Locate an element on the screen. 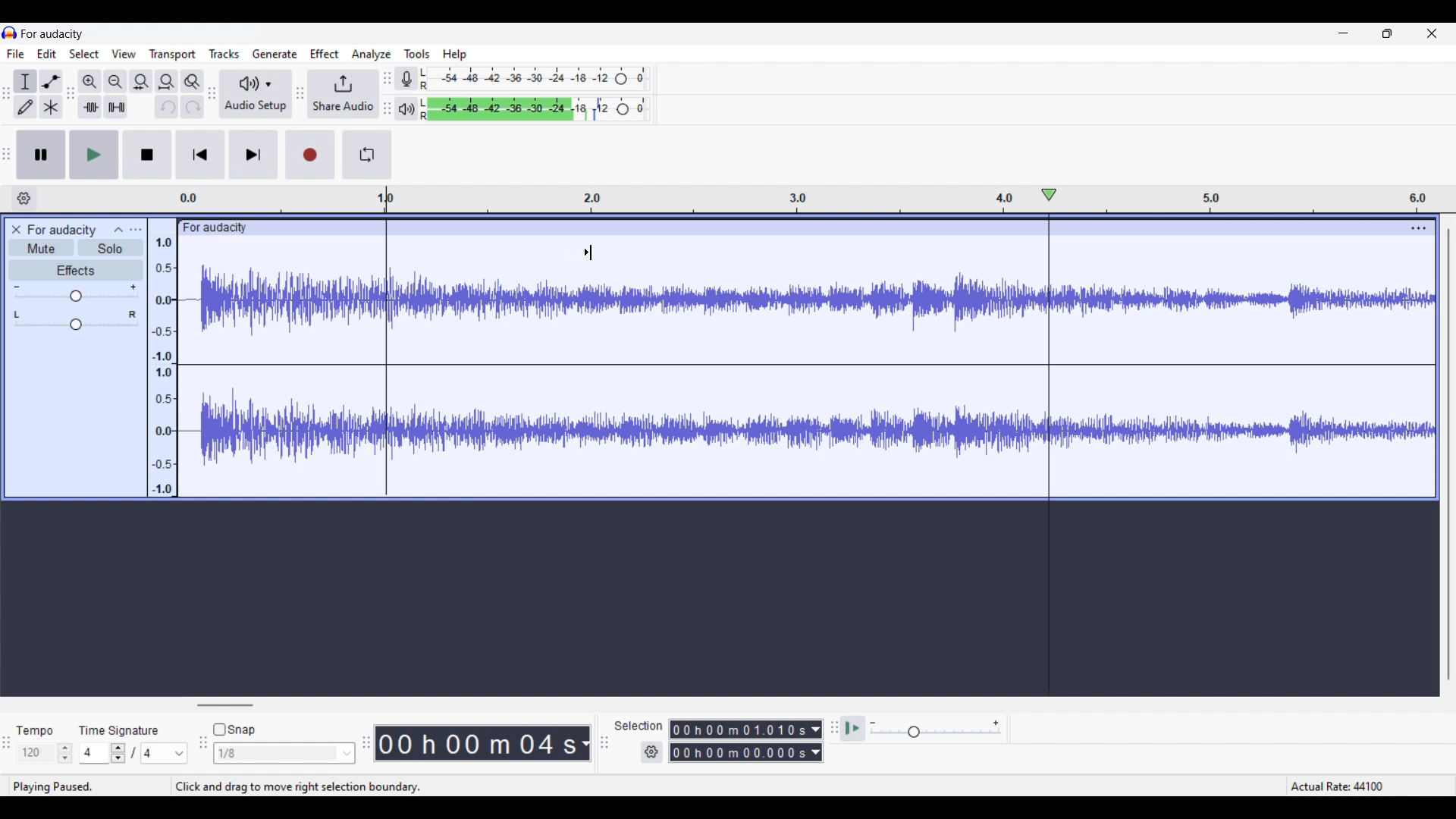 The height and width of the screenshot is (819, 1456). playing paused is located at coordinates (65, 785).